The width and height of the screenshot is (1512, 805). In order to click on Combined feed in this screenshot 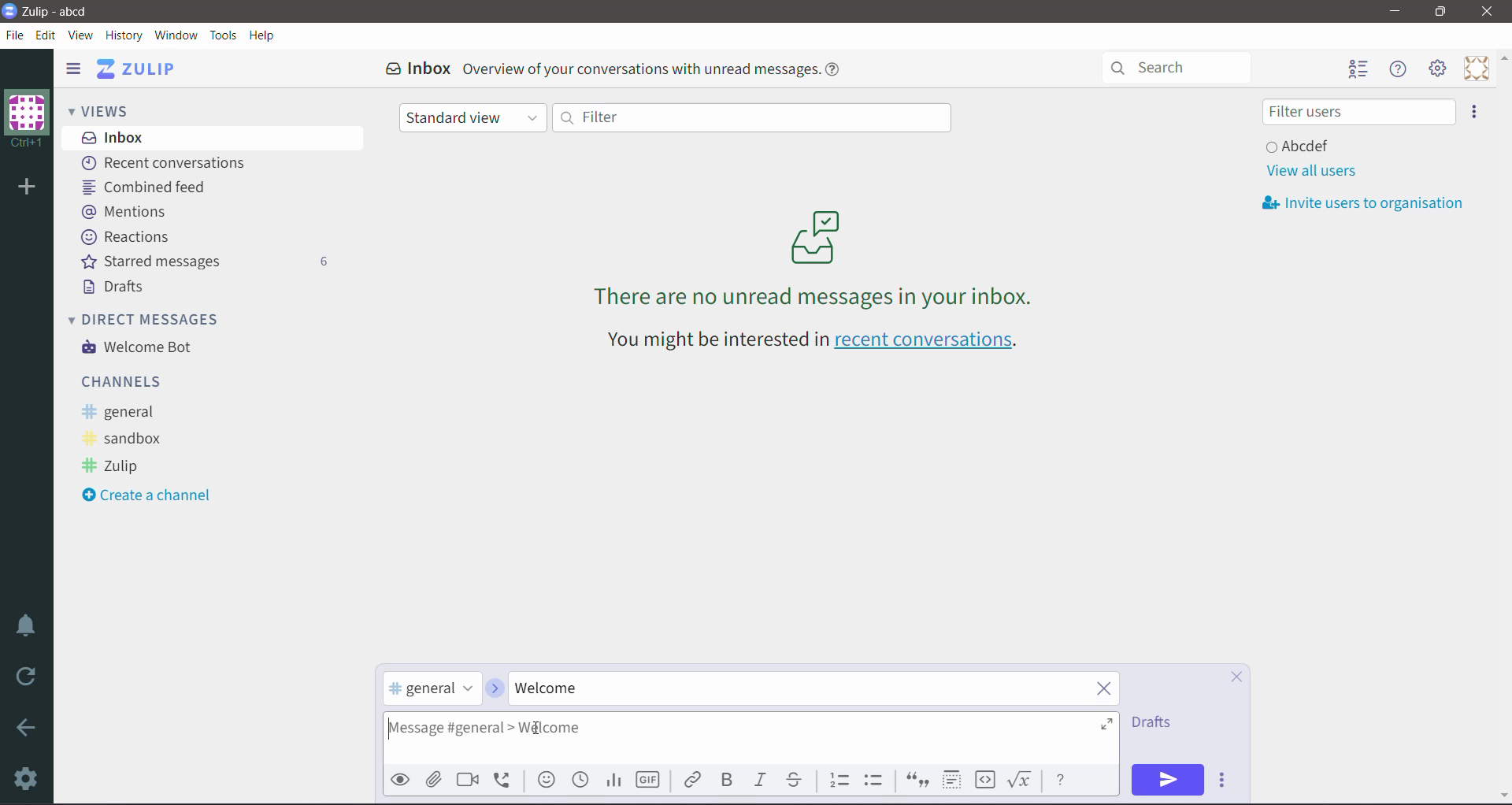, I will do `click(150, 187)`.